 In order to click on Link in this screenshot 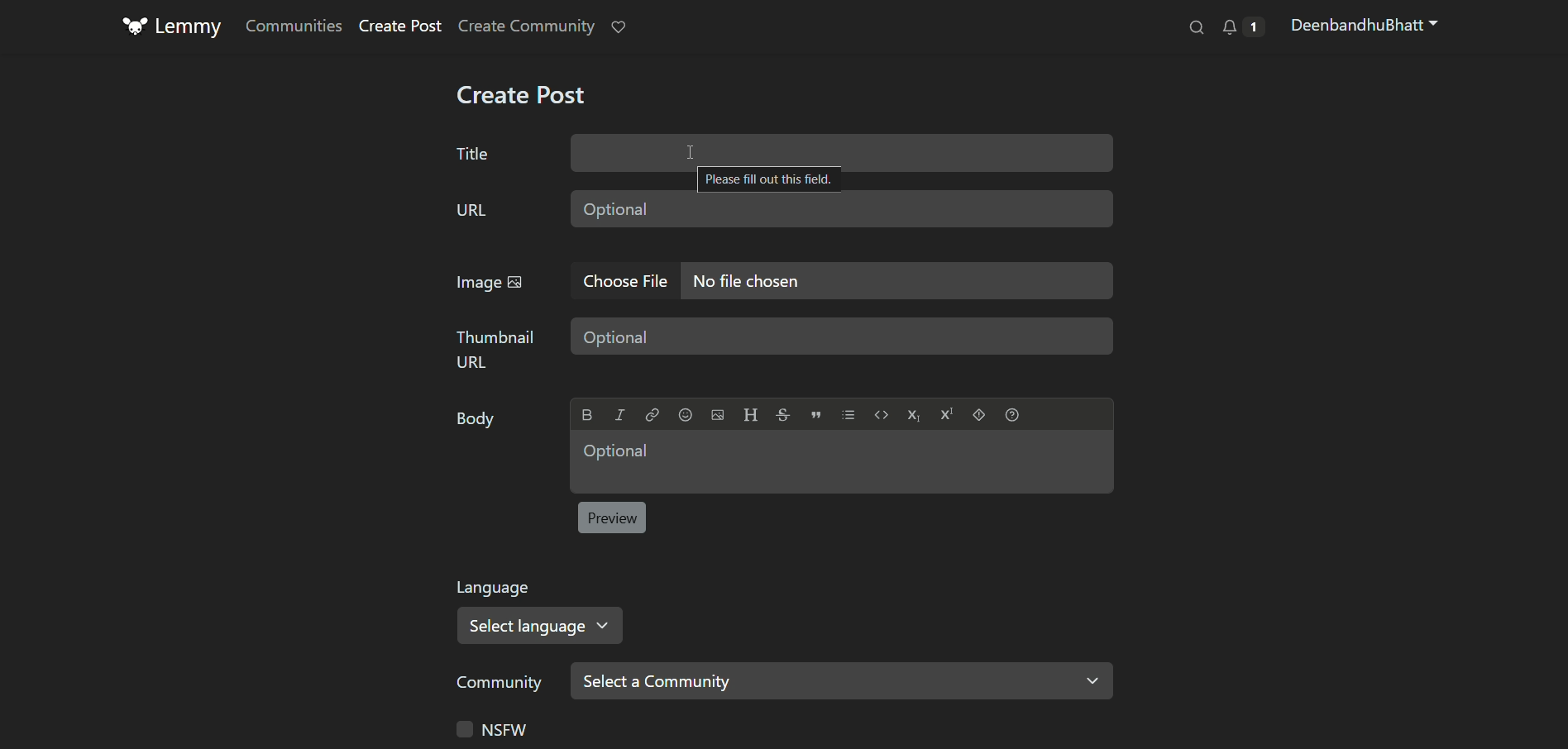, I will do `click(652, 415)`.